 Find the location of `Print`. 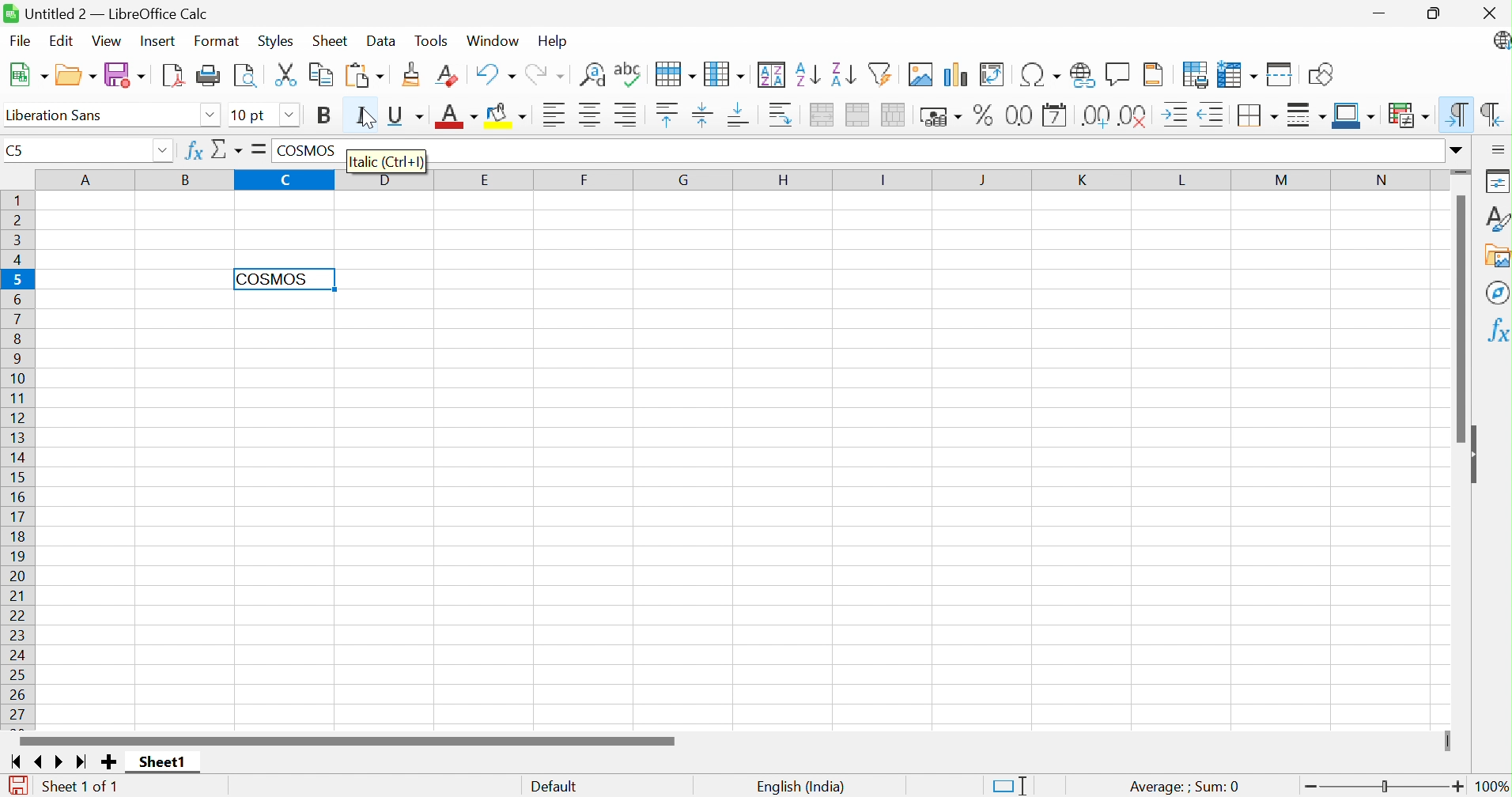

Print is located at coordinates (209, 76).